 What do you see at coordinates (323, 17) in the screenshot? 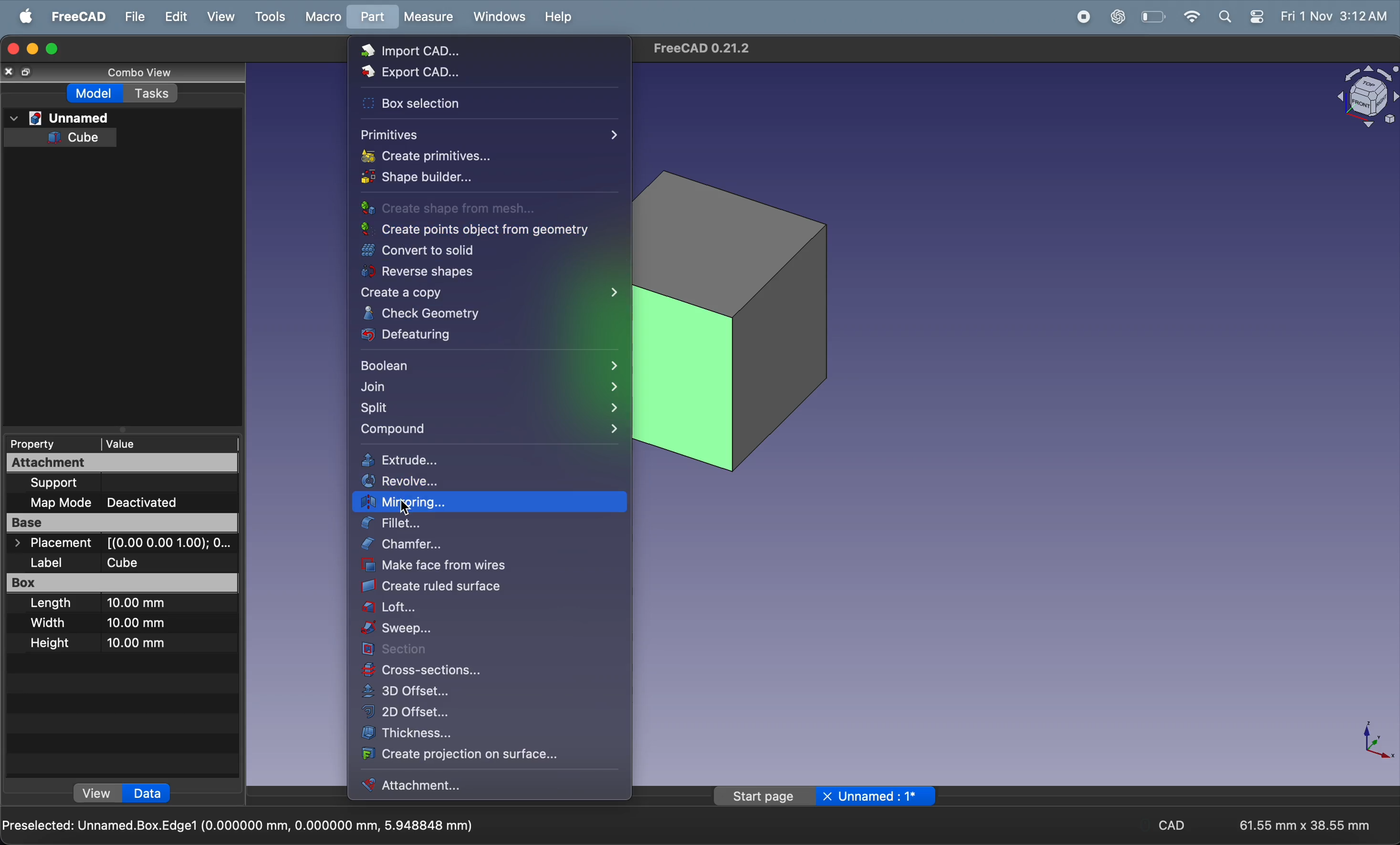
I see `marco` at bounding box center [323, 17].